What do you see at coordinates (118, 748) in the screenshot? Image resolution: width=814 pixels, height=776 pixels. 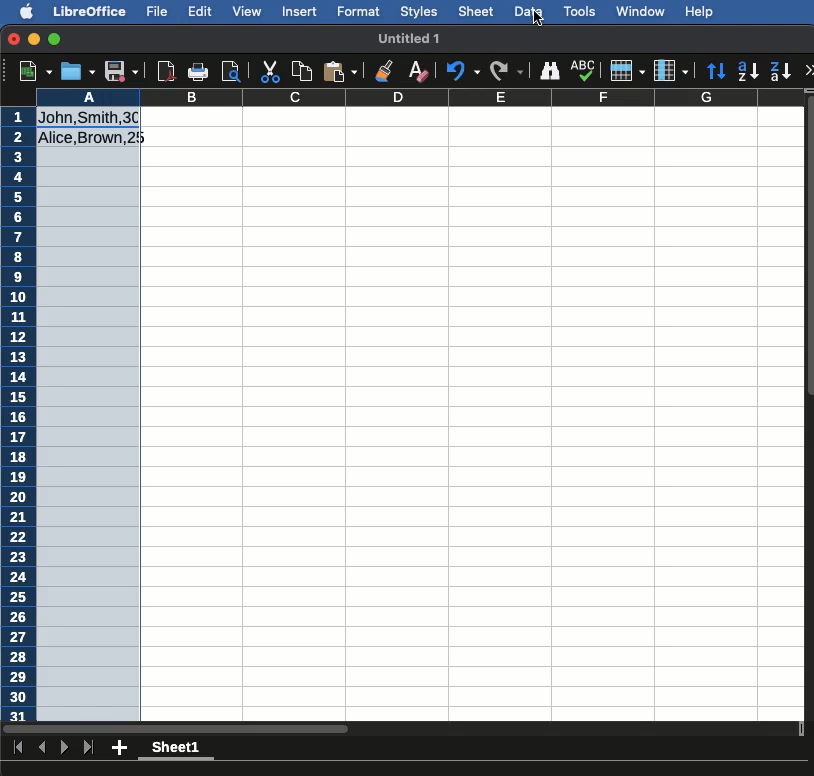 I see `Add new sheet` at bounding box center [118, 748].